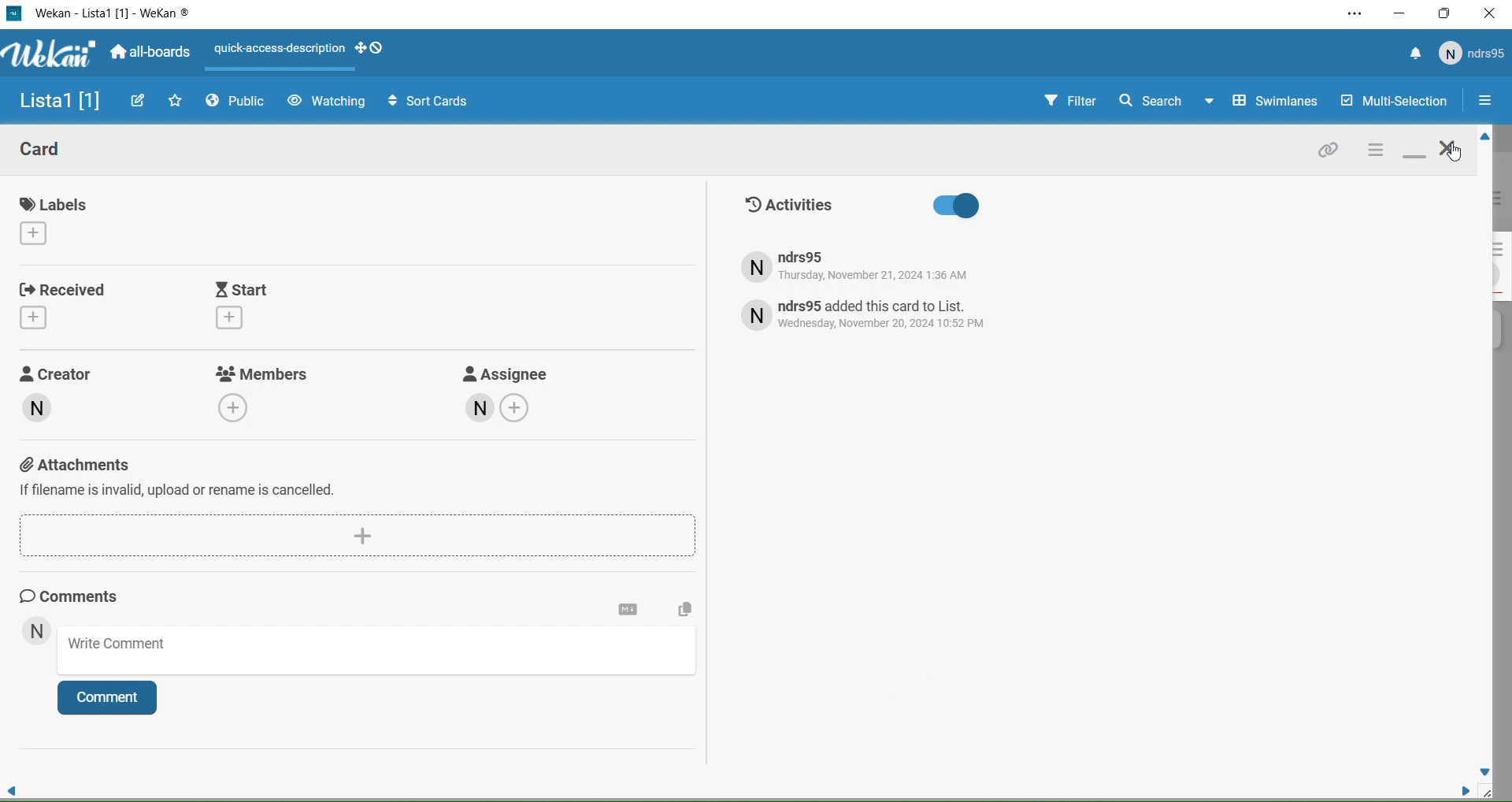 This screenshot has height=802, width=1512. Describe the element at coordinates (503, 394) in the screenshot. I see `Asignee` at that location.